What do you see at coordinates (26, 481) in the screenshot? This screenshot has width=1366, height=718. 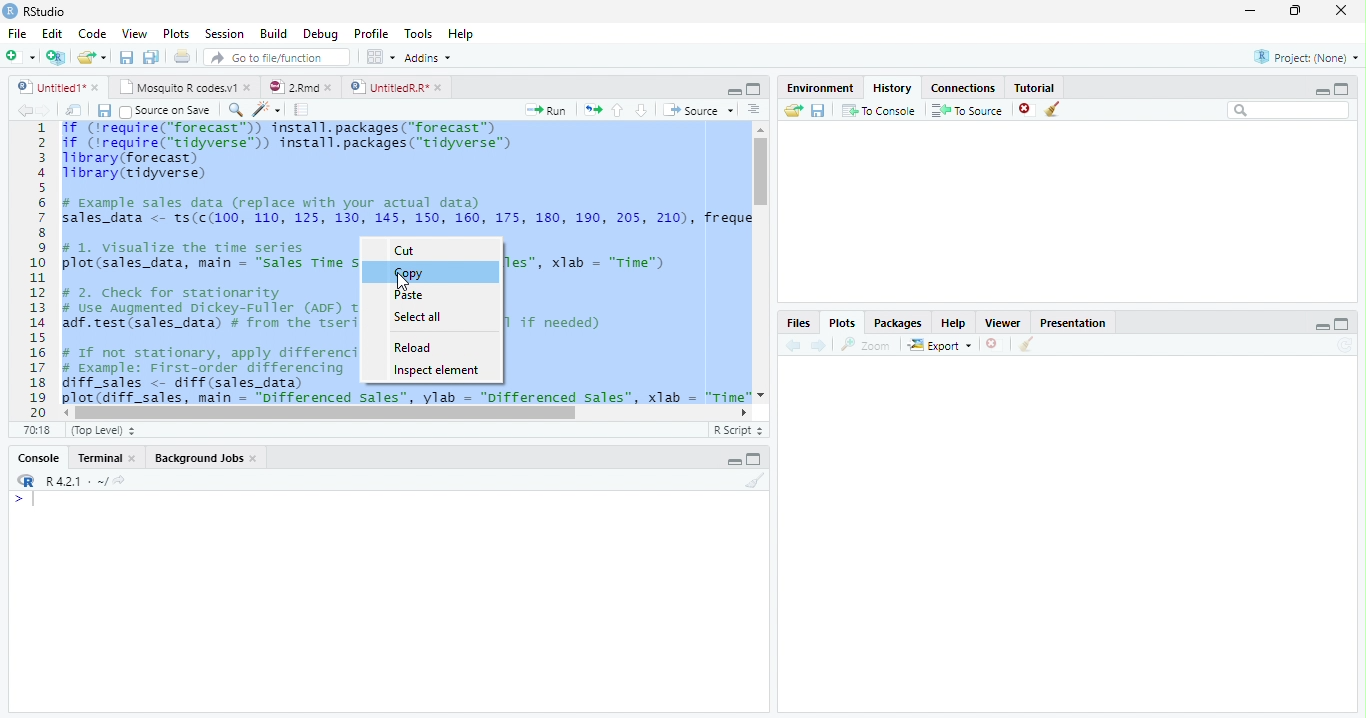 I see `R` at bounding box center [26, 481].